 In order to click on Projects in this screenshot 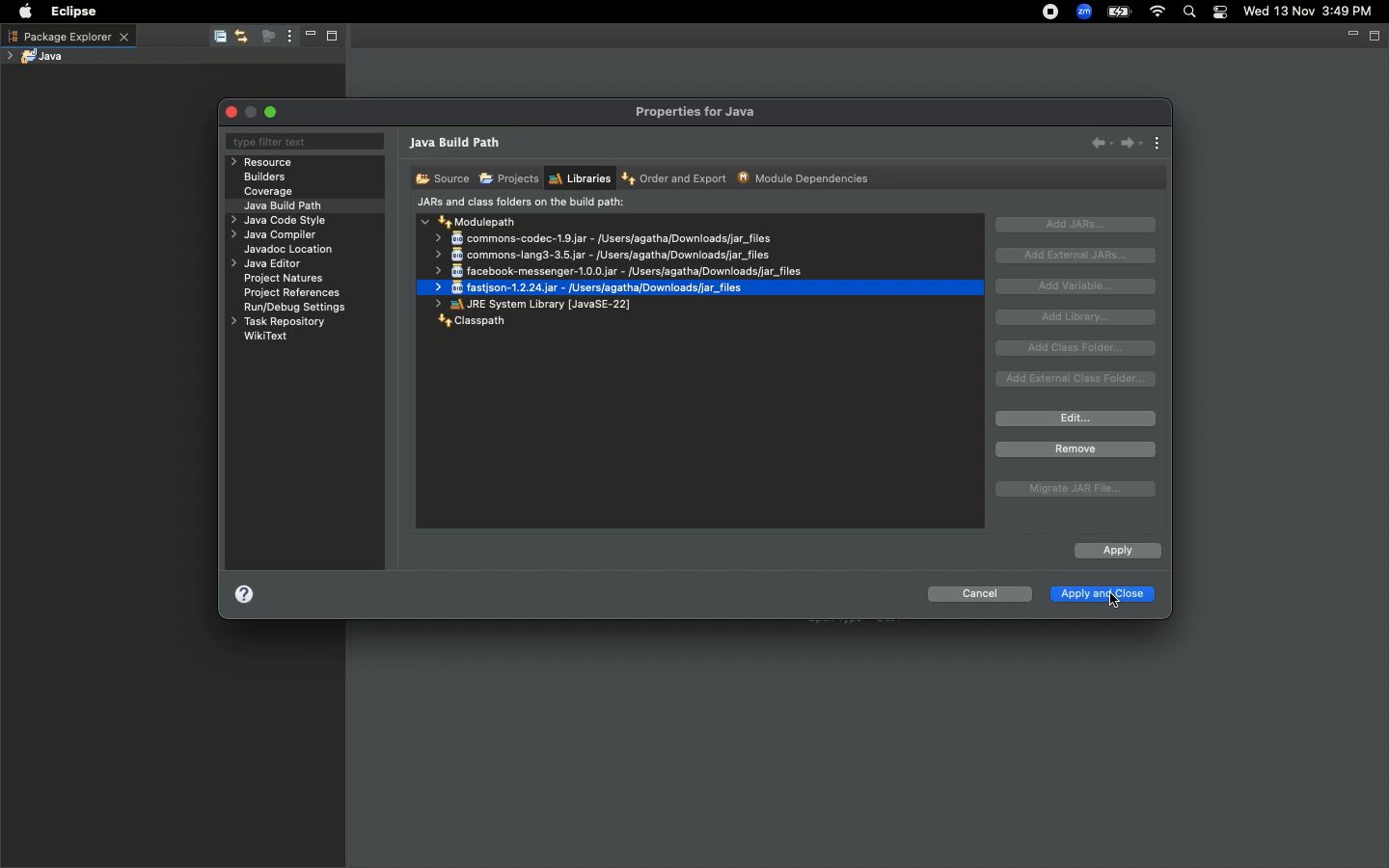, I will do `click(508, 179)`.